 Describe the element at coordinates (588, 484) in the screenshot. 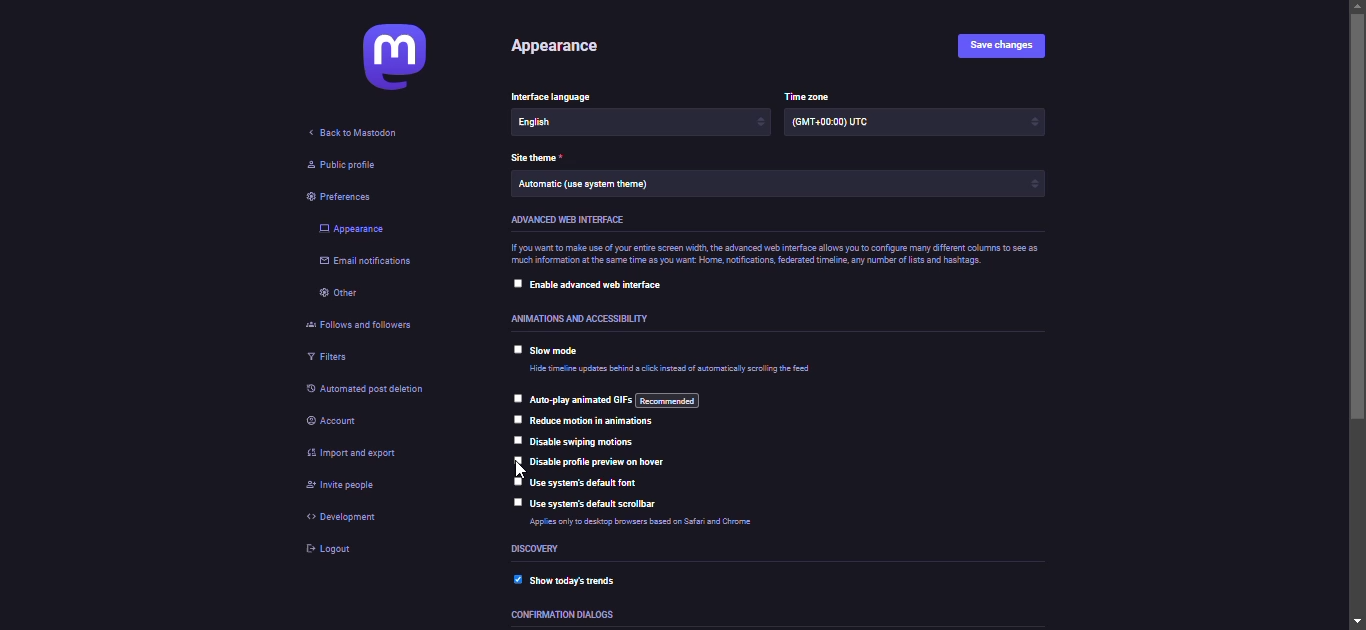

I see `use system's default font` at that location.